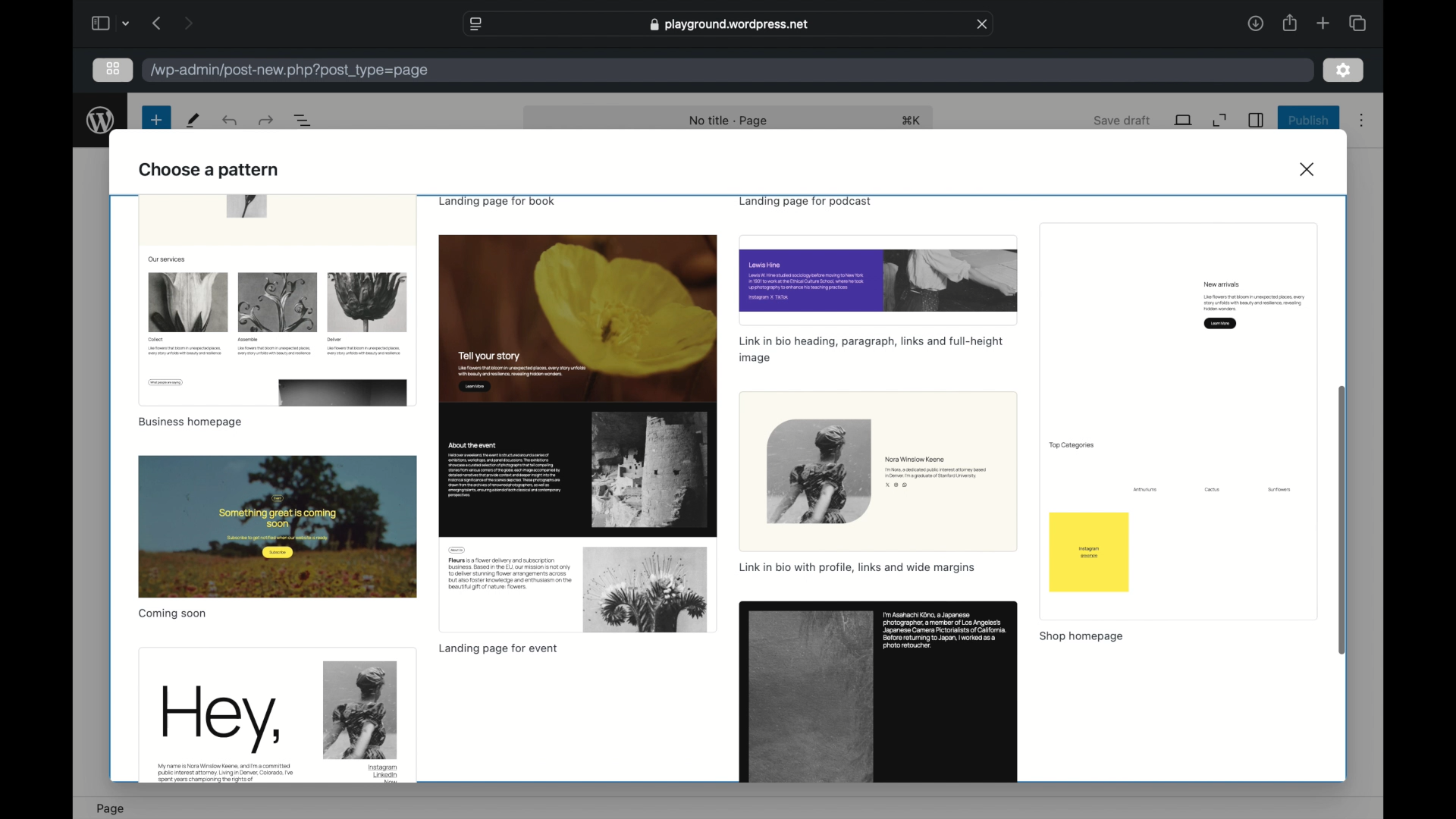 This screenshot has height=819, width=1456. I want to click on preview, so click(277, 300).